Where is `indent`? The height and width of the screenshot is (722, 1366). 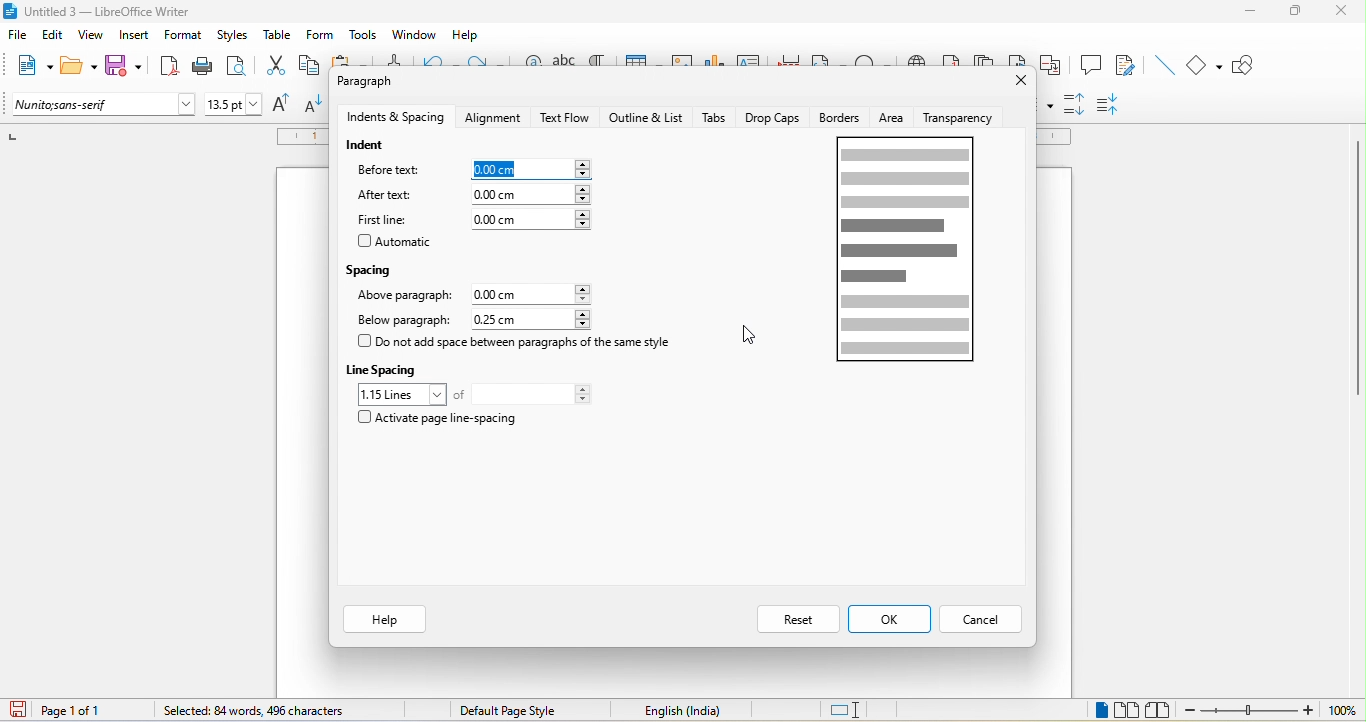 indent is located at coordinates (371, 147).